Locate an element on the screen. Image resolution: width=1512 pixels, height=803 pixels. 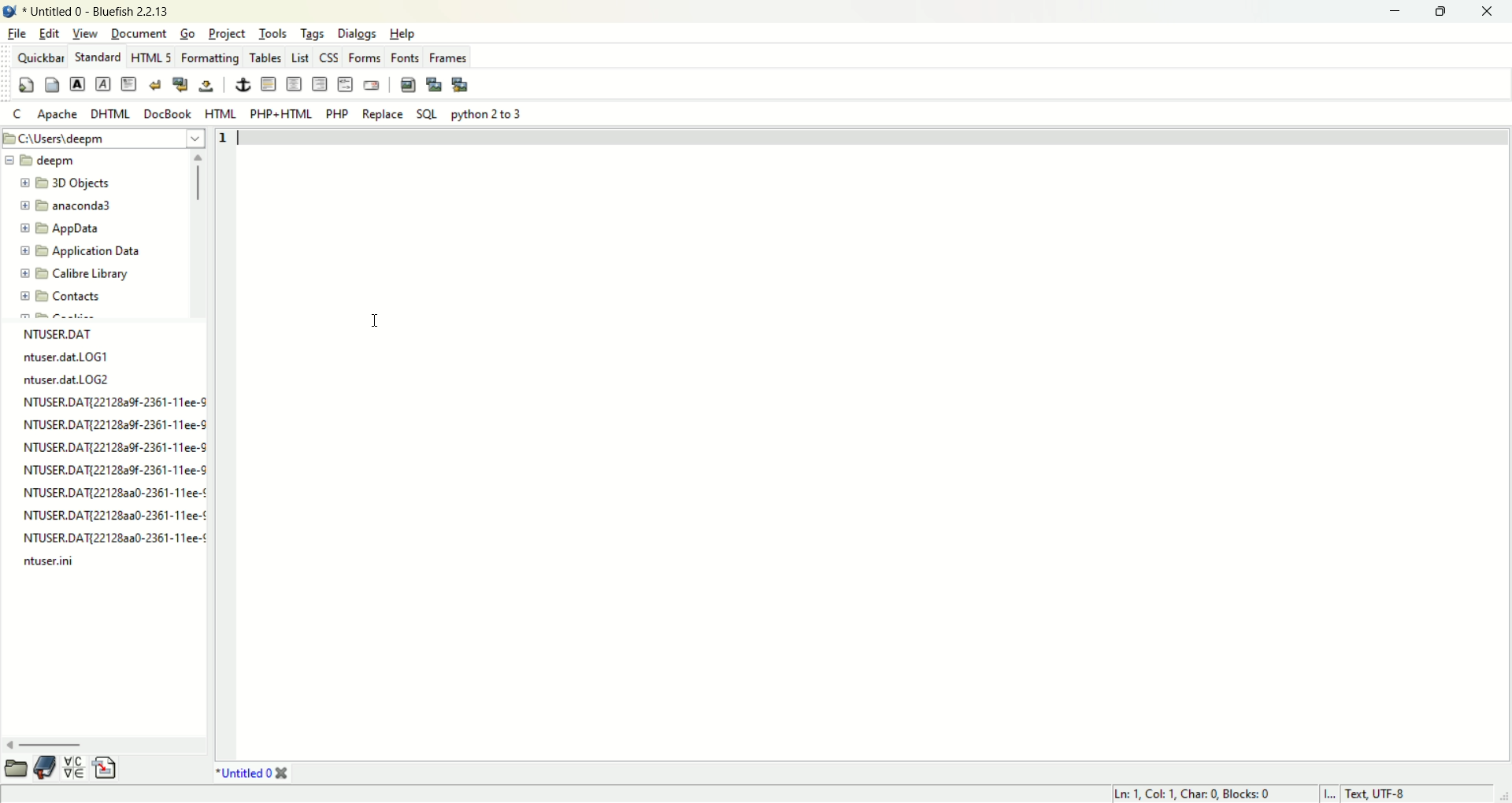
ln, col, char, blocks is located at coordinates (1190, 794).